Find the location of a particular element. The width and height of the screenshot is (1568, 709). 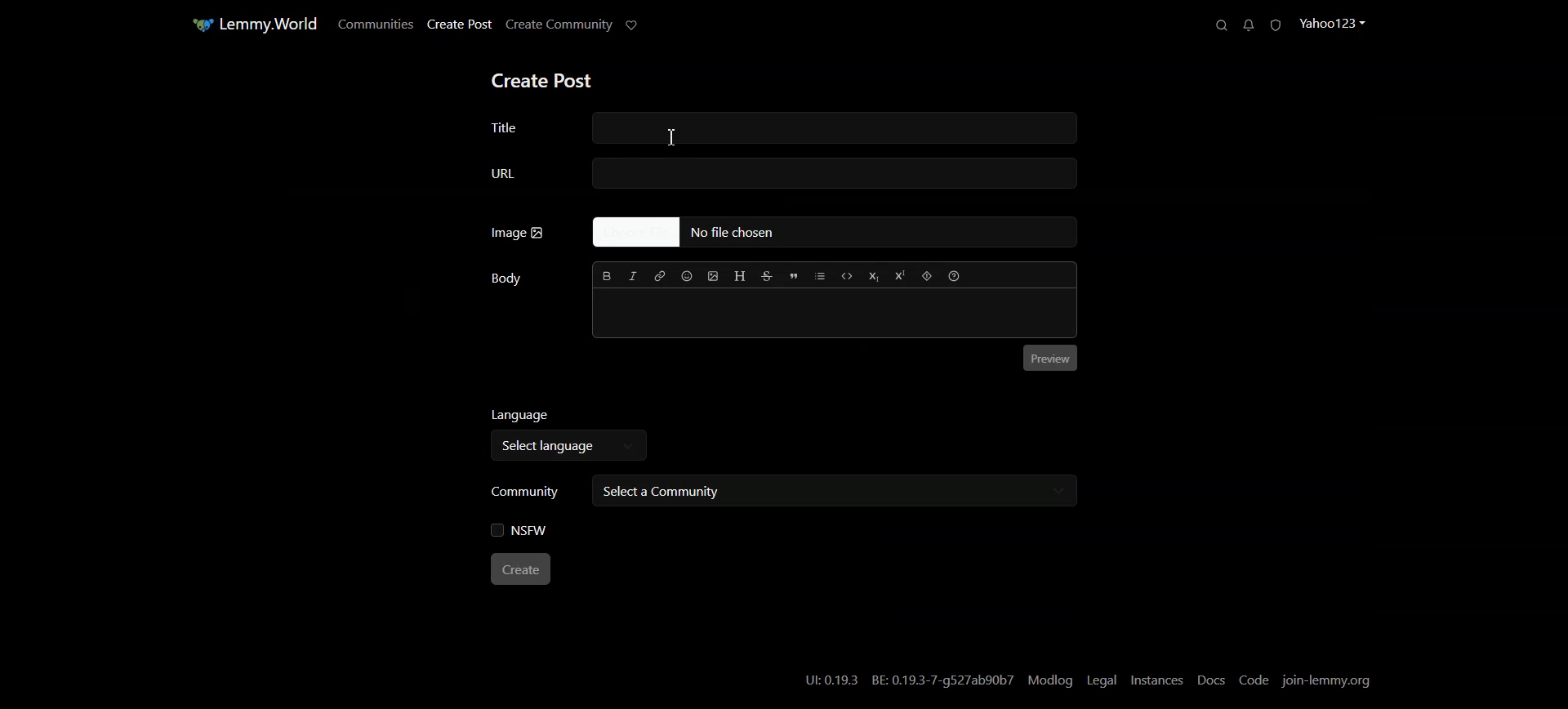

Docs is located at coordinates (1211, 680).